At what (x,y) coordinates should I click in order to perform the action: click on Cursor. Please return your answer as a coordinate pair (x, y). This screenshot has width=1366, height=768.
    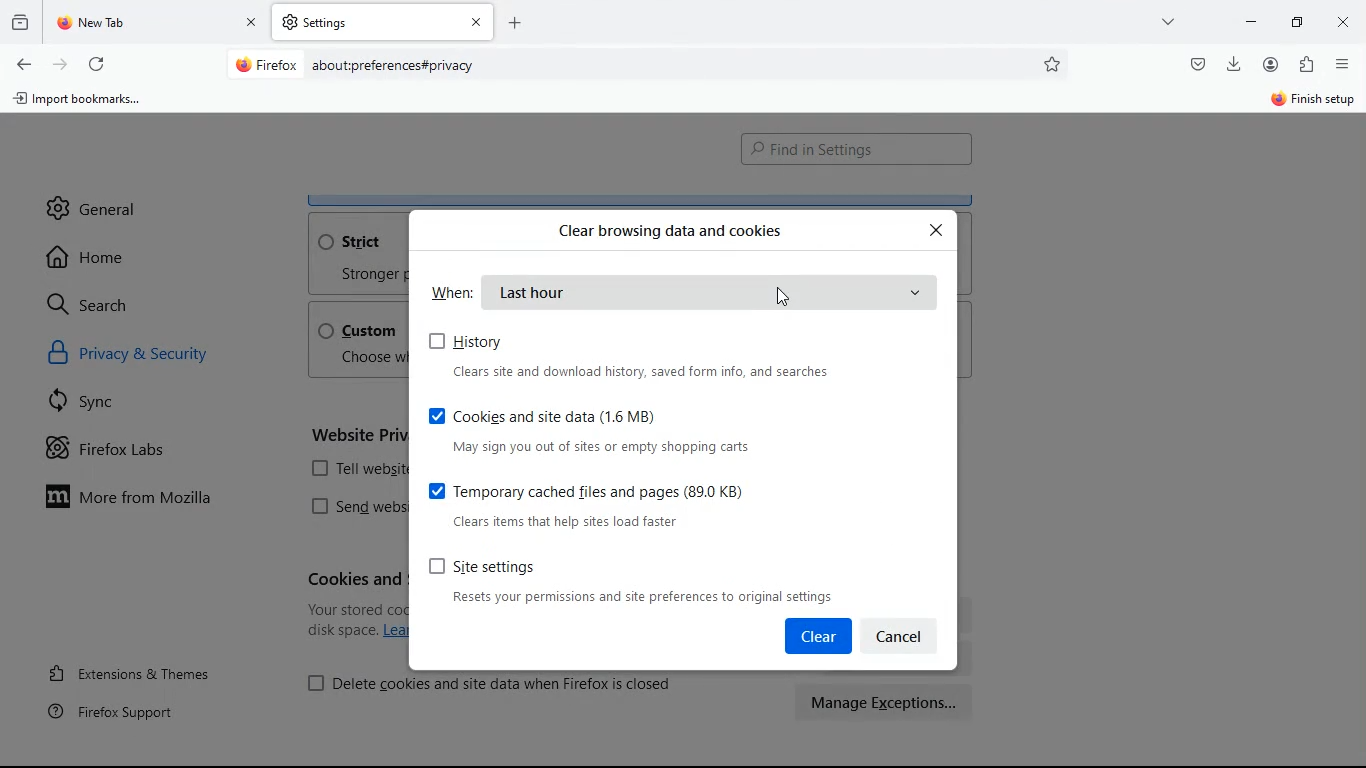
    Looking at the image, I should click on (785, 295).